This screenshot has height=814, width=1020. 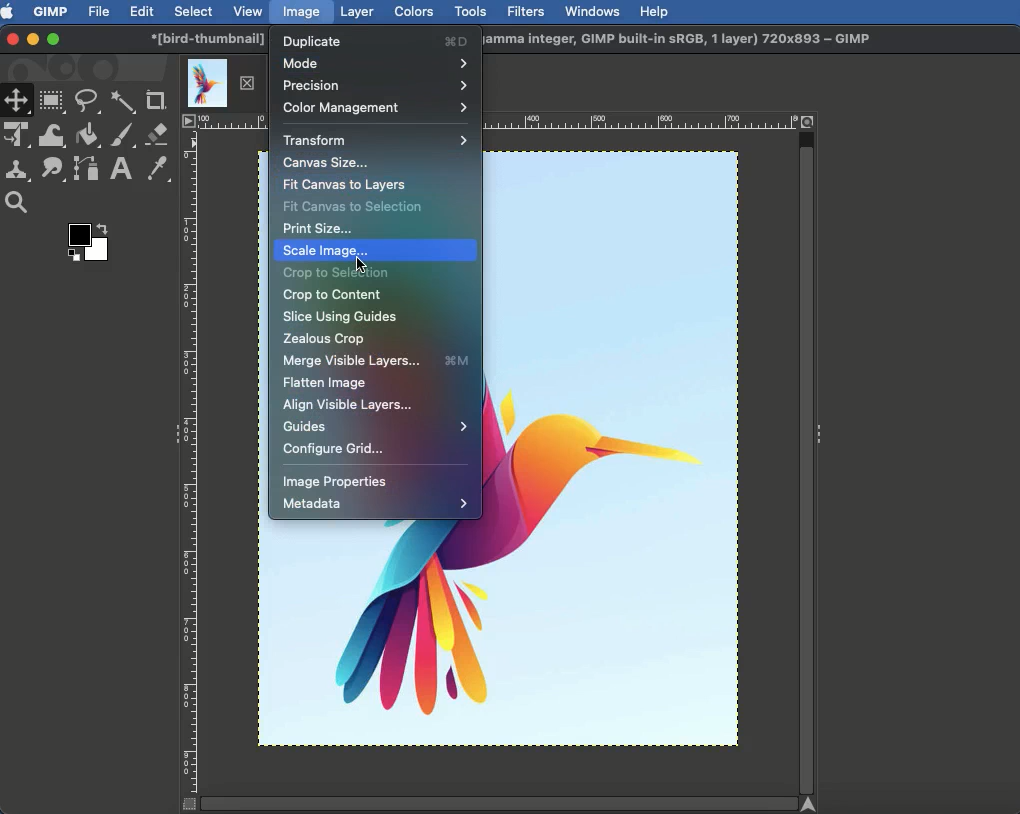 I want to click on Scale image, so click(x=376, y=251).